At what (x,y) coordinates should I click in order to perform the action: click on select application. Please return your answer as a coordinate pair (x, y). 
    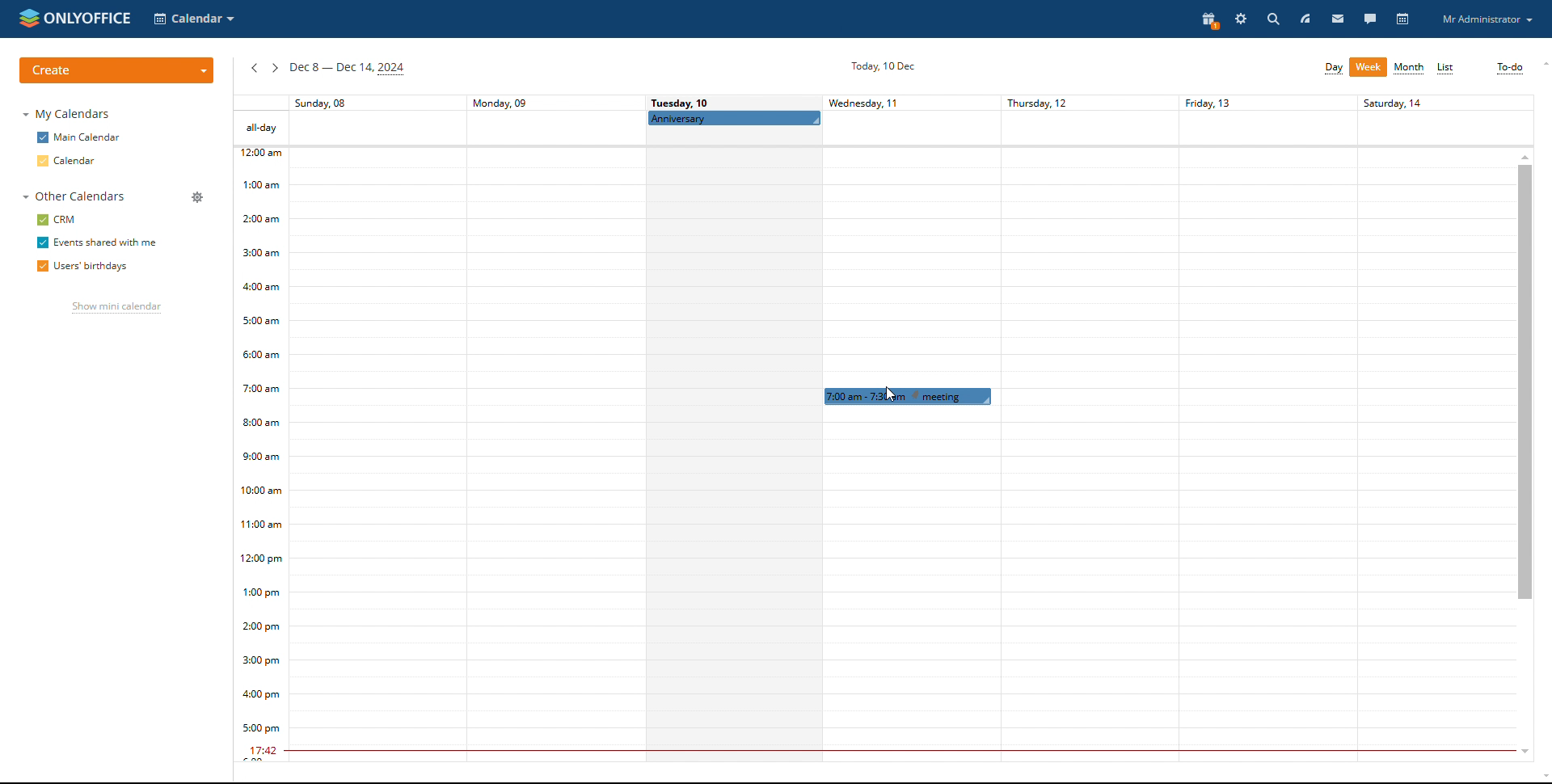
    Looking at the image, I should click on (196, 19).